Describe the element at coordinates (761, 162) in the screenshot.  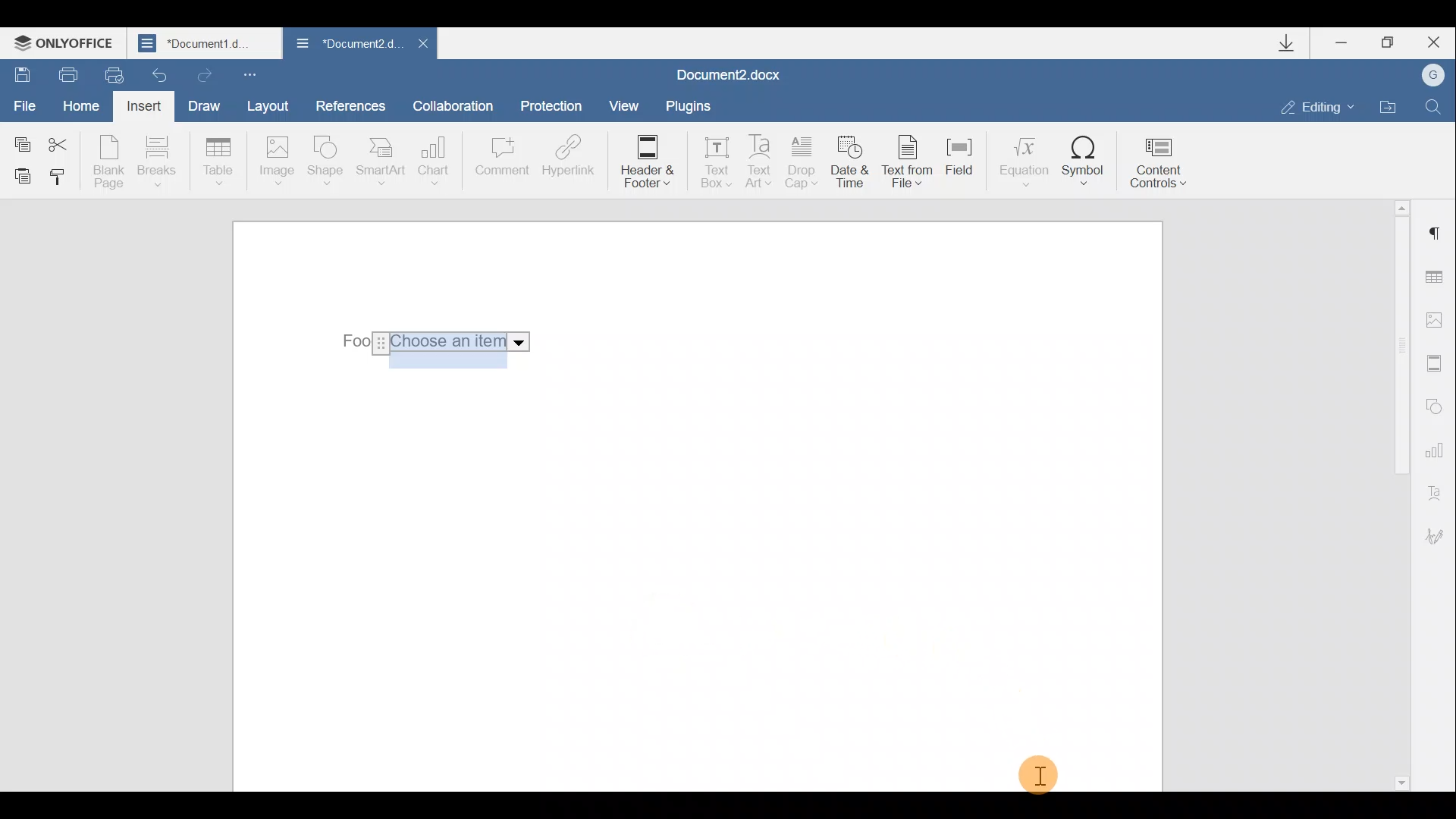
I see `Text Art` at that location.